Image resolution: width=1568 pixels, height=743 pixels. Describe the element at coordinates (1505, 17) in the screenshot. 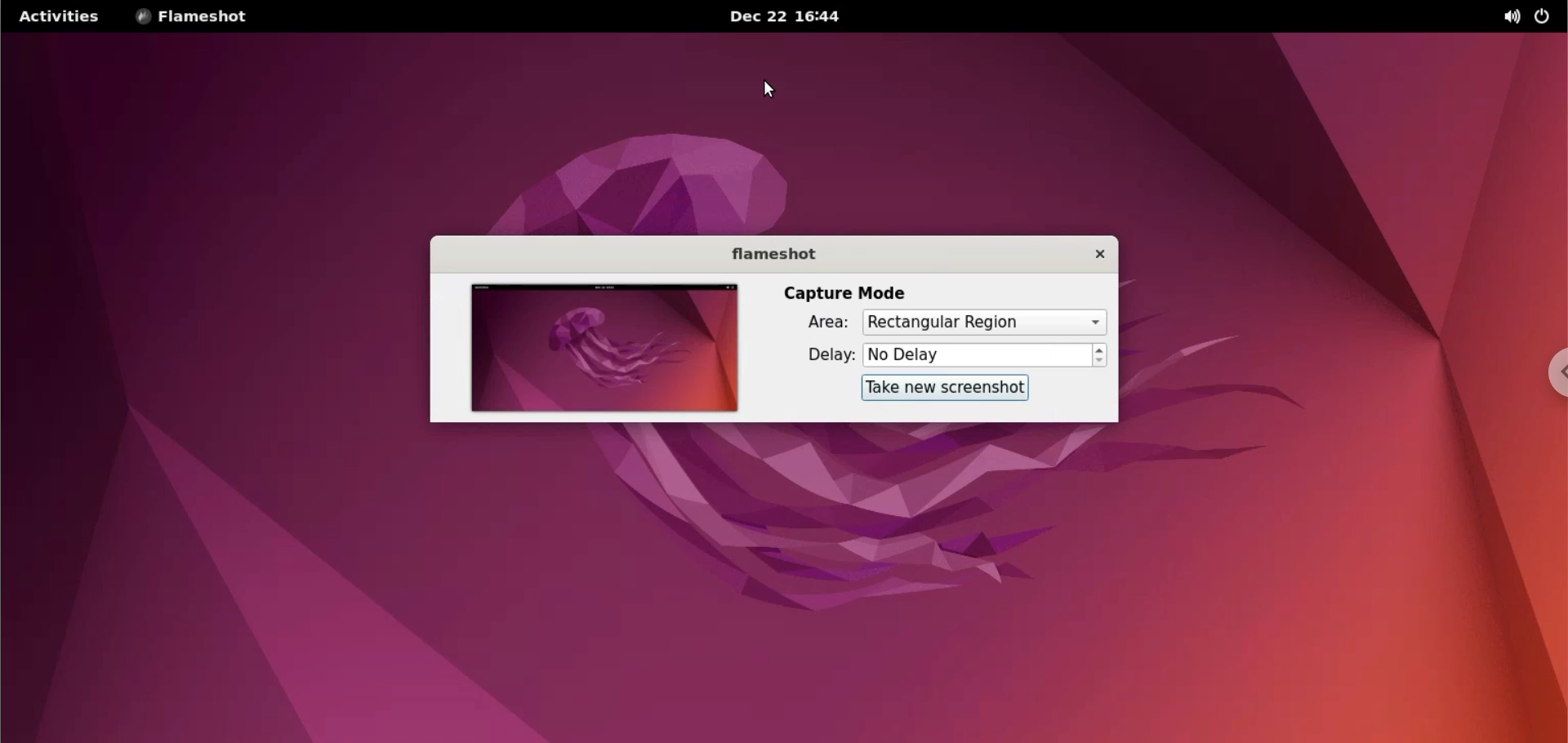

I see `sound options` at that location.